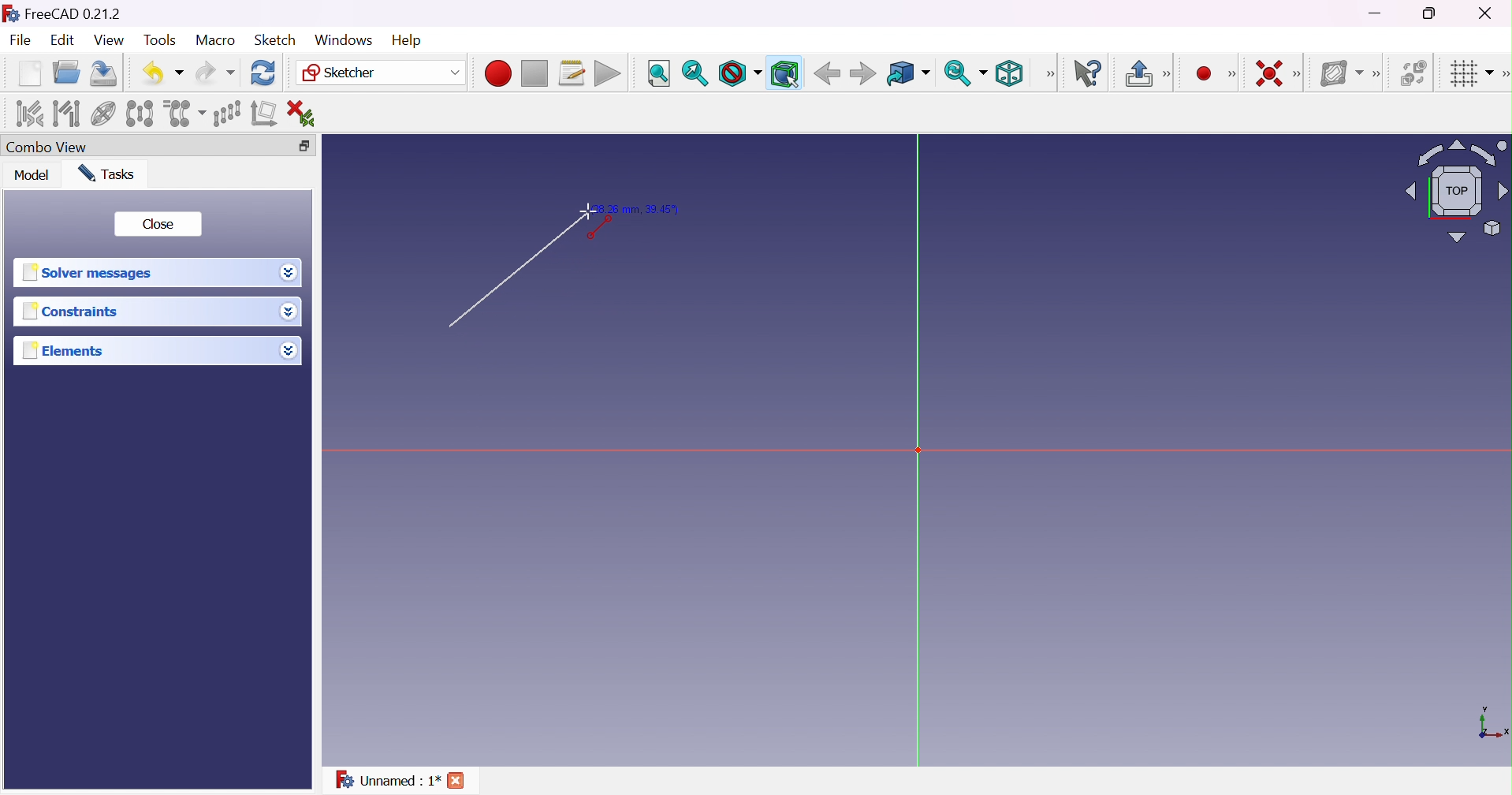  Describe the element at coordinates (139, 114) in the screenshot. I see `Symmetry` at that location.